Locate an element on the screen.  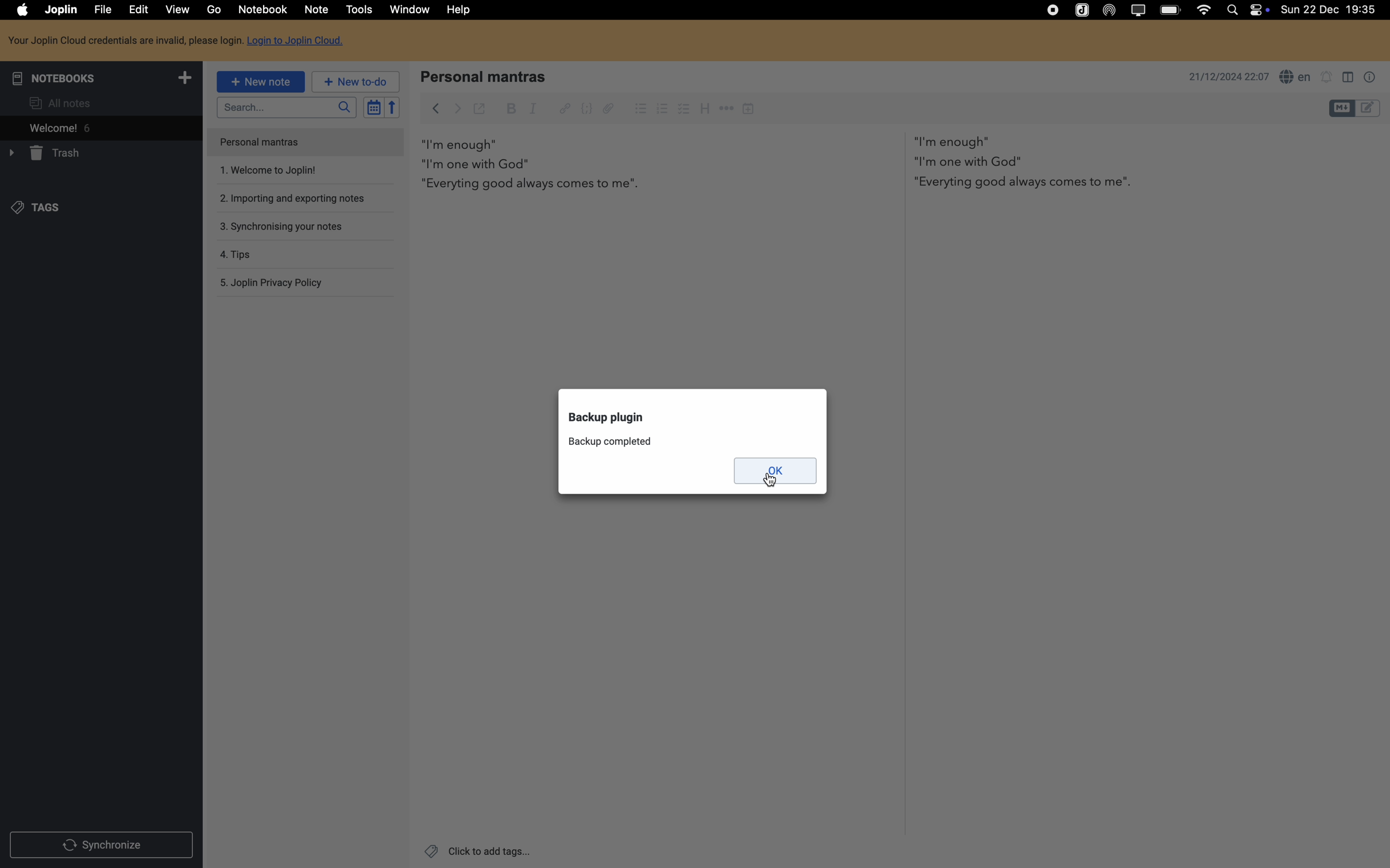
checkbox is located at coordinates (683, 110).